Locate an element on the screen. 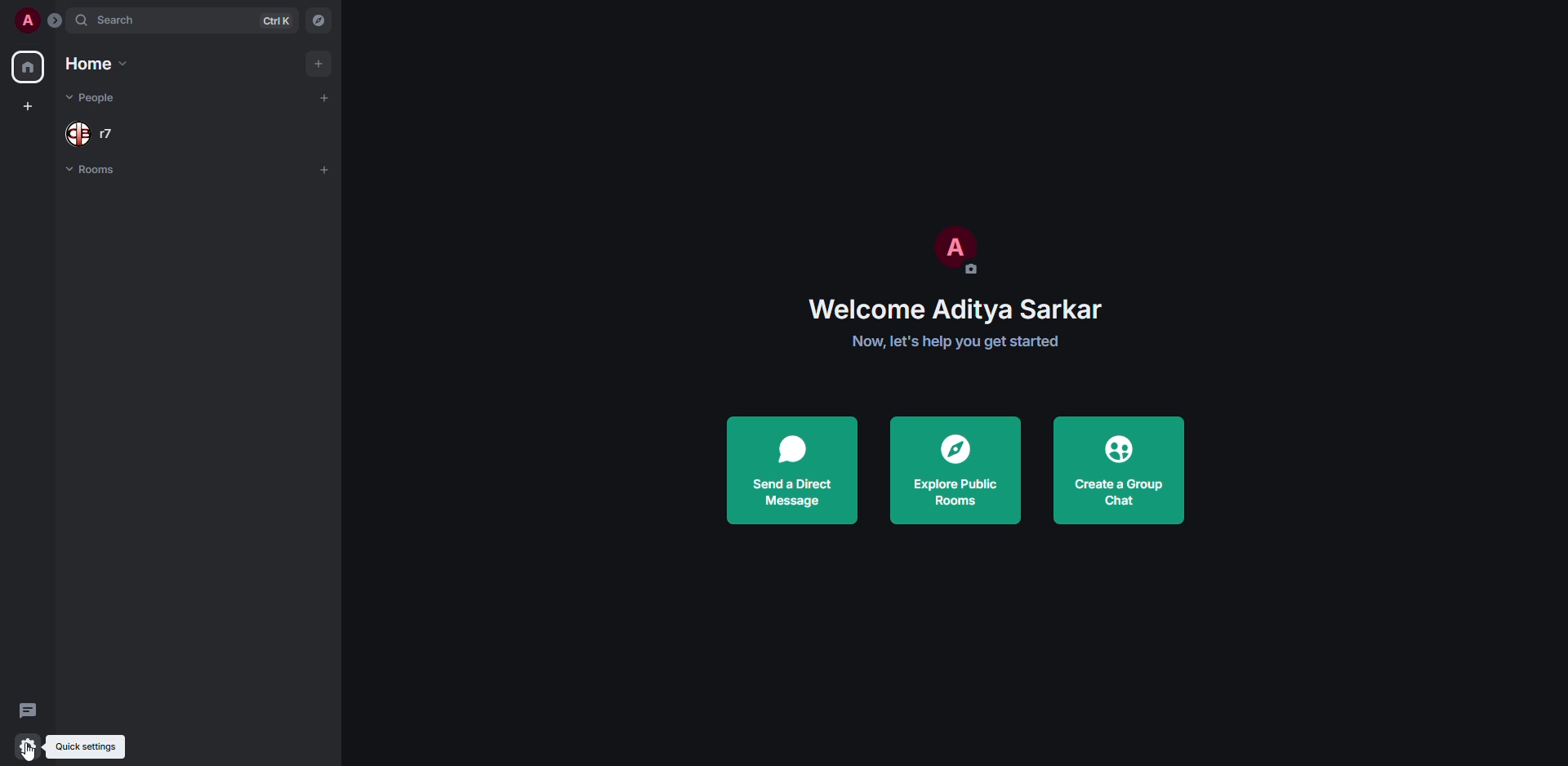  explore public rooms is located at coordinates (952, 472).